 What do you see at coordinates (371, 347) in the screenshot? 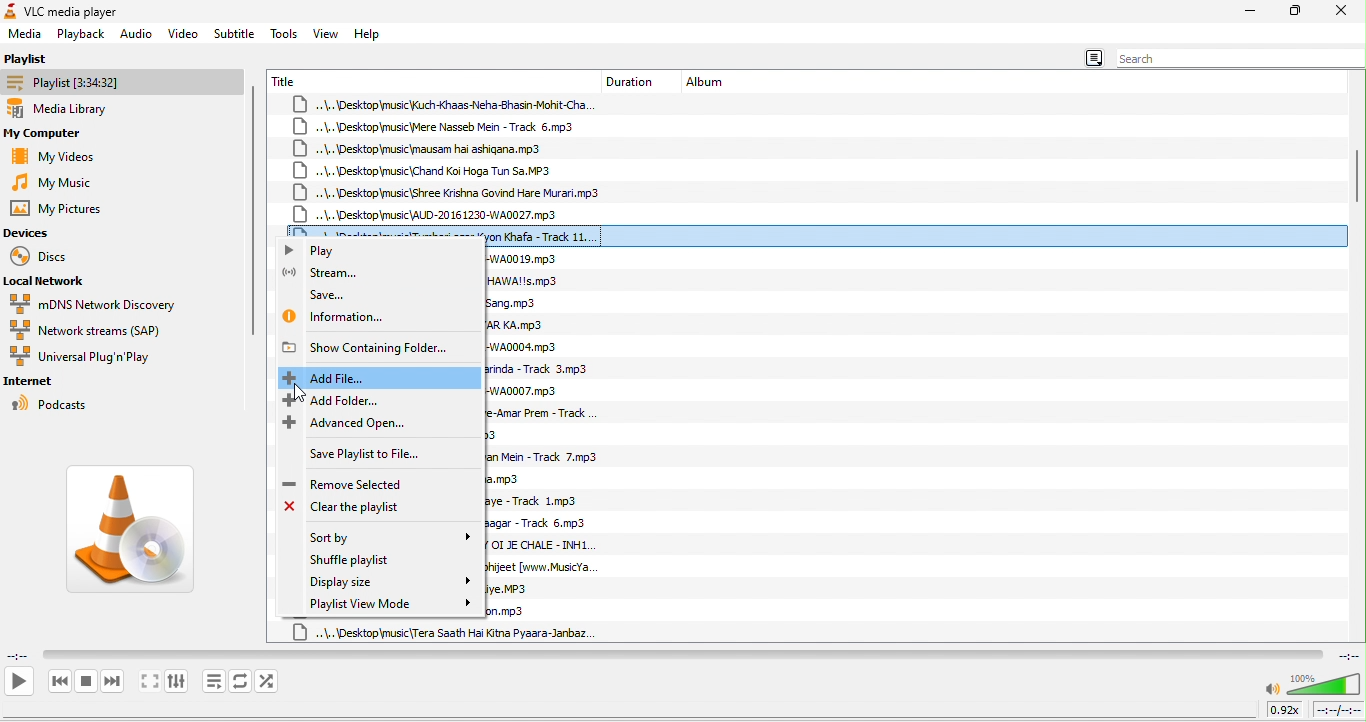
I see `show containing folder` at bounding box center [371, 347].